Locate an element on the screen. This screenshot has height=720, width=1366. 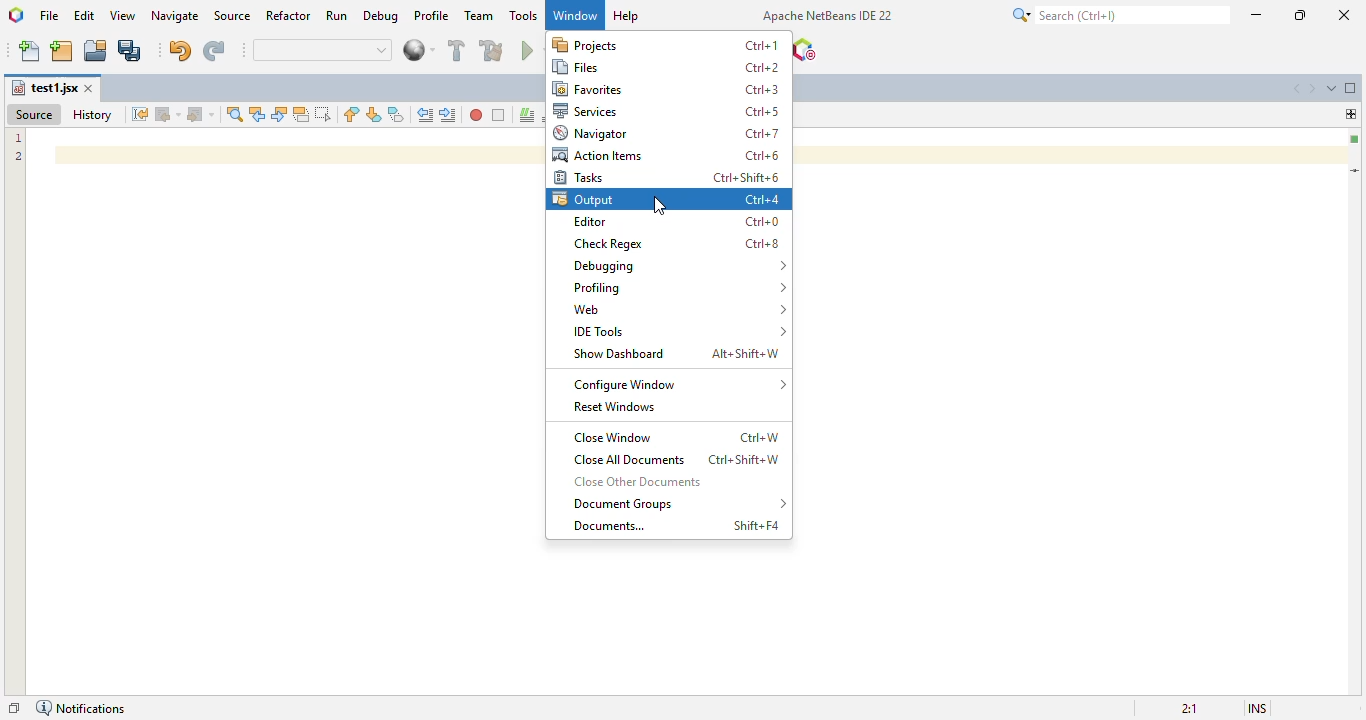
tasks Ctrl + Shift + 6 is located at coordinates (668, 177).